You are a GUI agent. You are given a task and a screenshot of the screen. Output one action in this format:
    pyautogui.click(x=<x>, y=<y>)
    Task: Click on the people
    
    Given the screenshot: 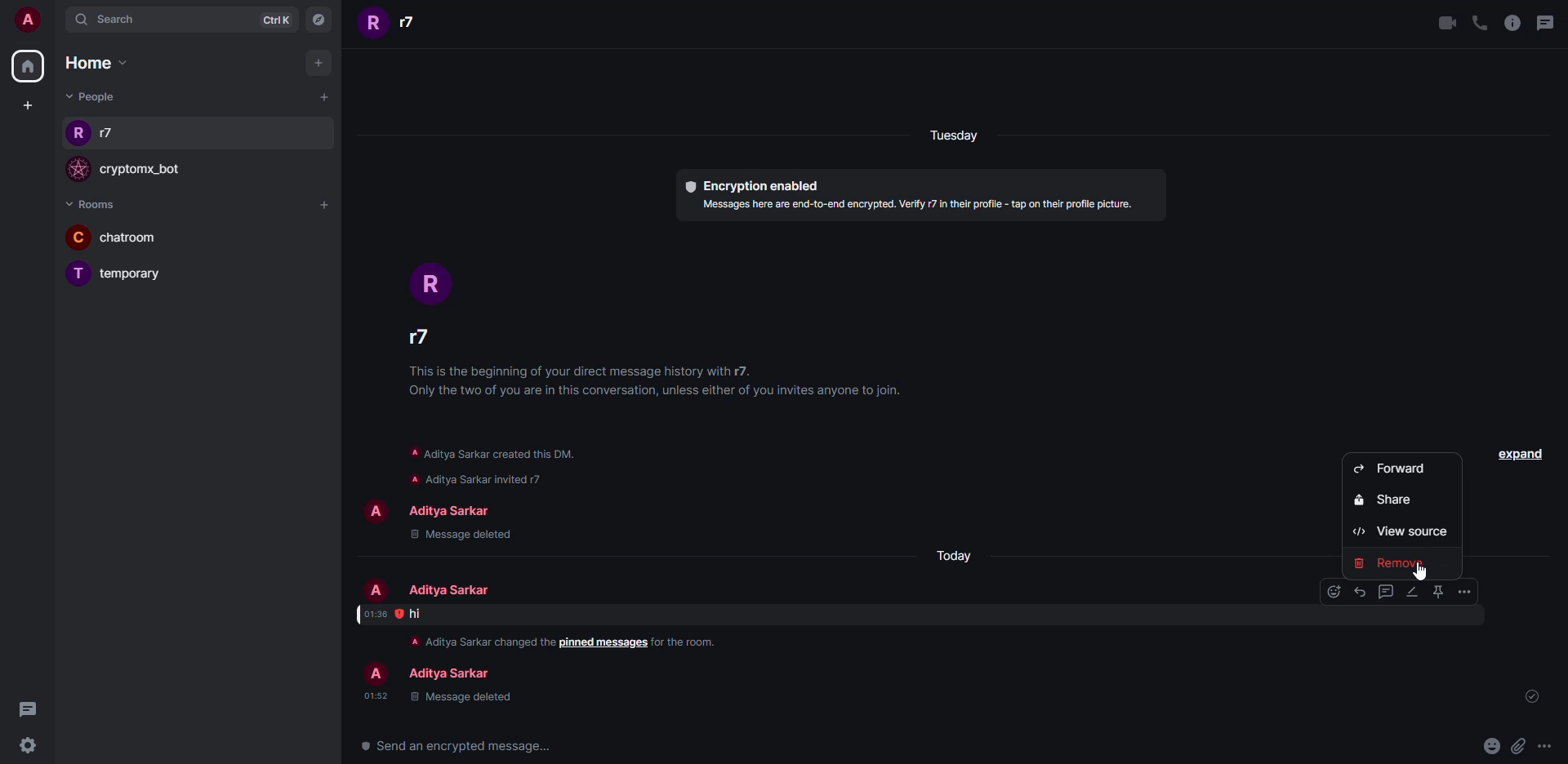 What is the action you would take?
    pyautogui.click(x=93, y=96)
    